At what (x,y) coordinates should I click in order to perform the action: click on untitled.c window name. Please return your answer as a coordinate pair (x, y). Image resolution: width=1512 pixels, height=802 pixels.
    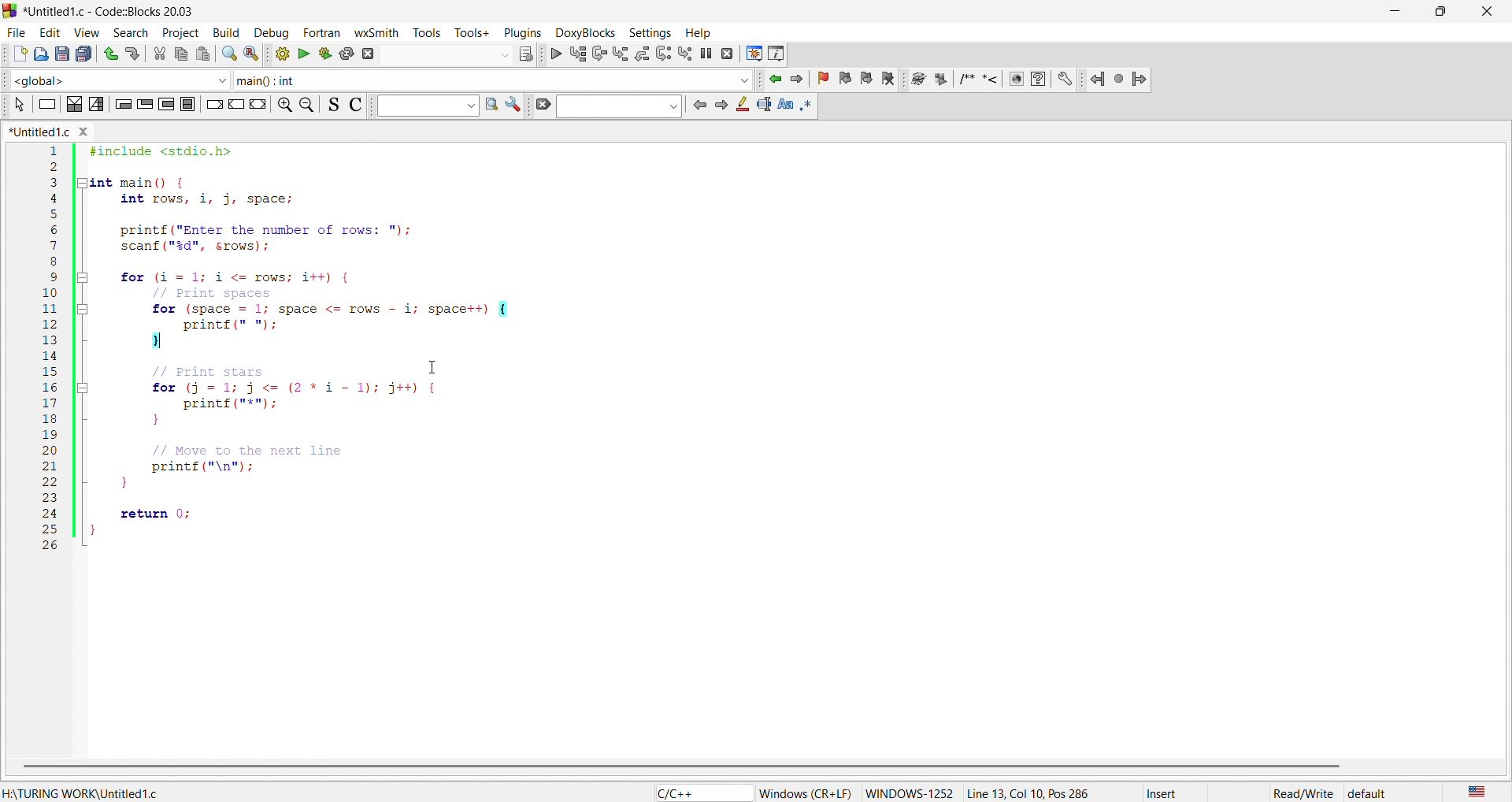
    Looking at the image, I should click on (51, 133).